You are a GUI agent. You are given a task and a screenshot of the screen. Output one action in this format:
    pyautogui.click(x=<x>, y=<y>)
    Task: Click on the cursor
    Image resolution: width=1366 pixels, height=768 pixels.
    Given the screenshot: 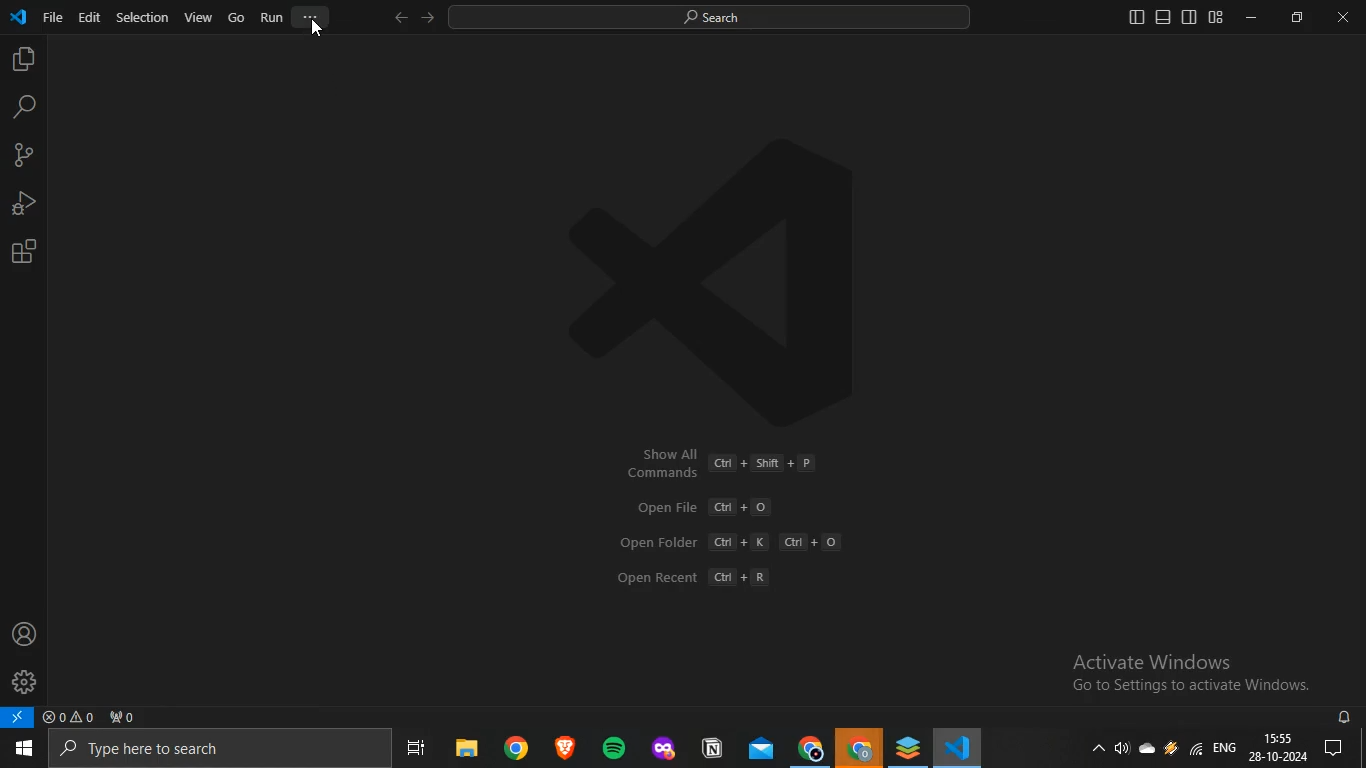 What is the action you would take?
    pyautogui.click(x=316, y=29)
    